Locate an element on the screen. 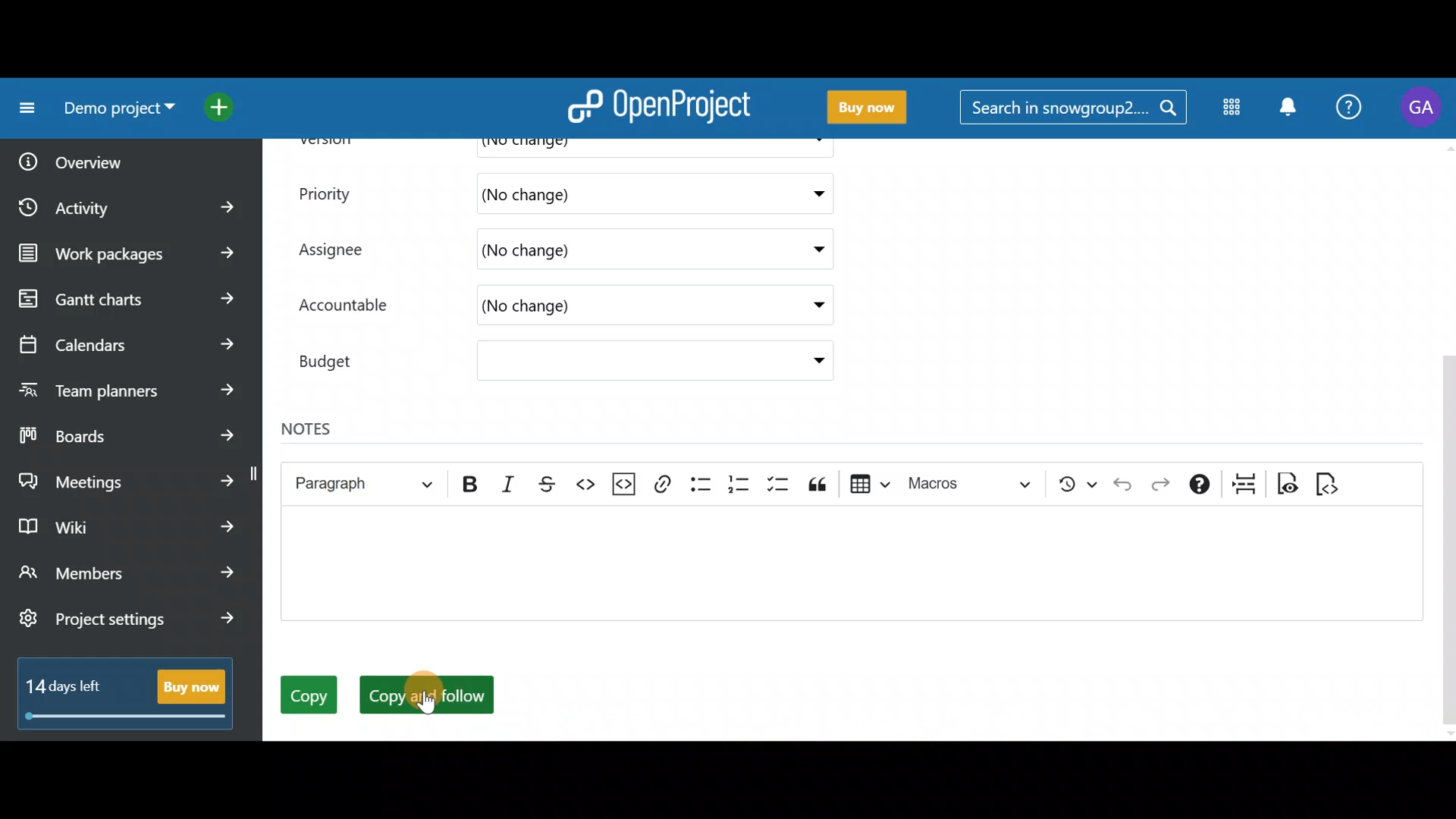 The height and width of the screenshot is (819, 1456). Accountable is located at coordinates (345, 306).